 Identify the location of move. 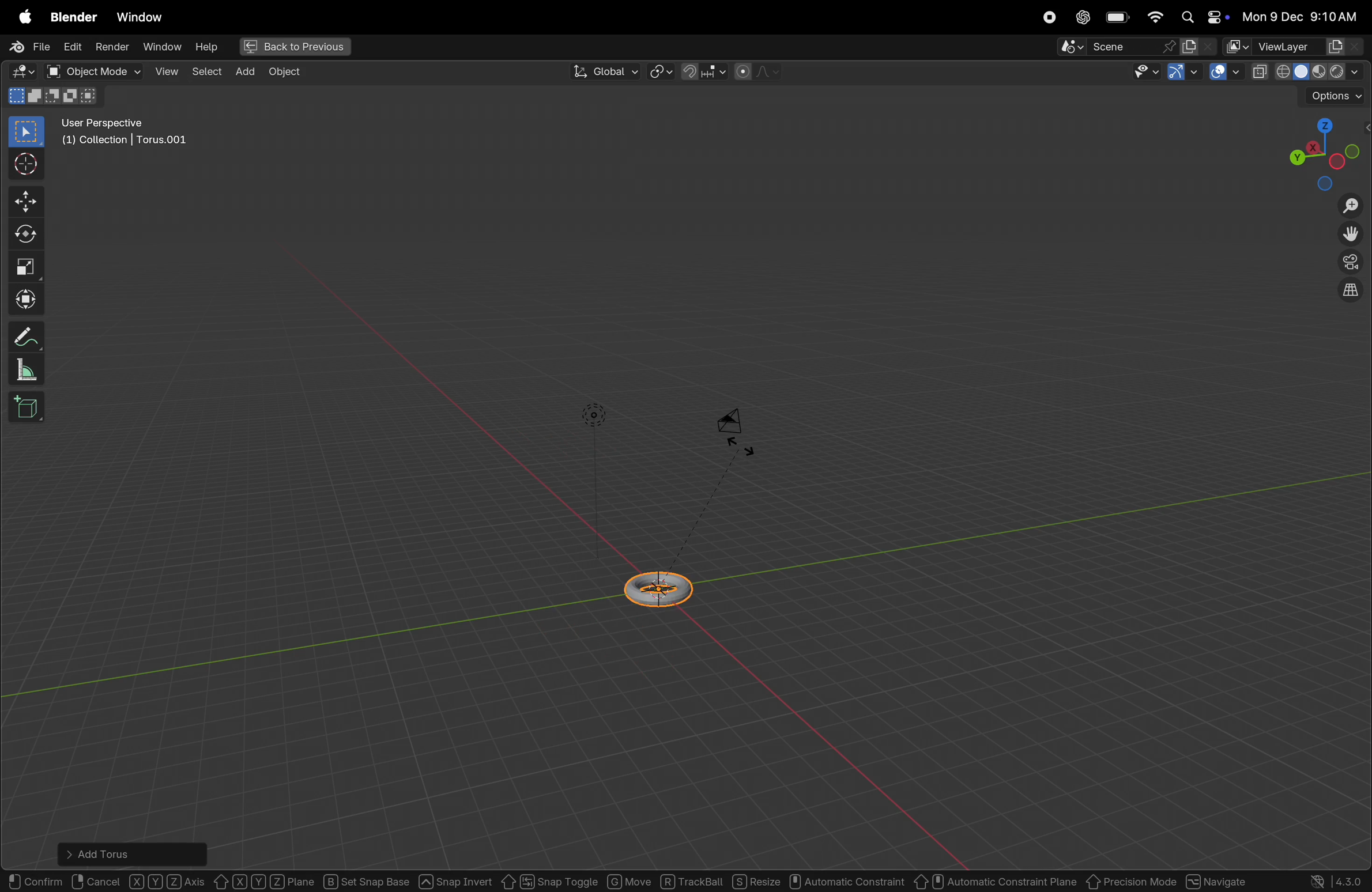
(629, 879).